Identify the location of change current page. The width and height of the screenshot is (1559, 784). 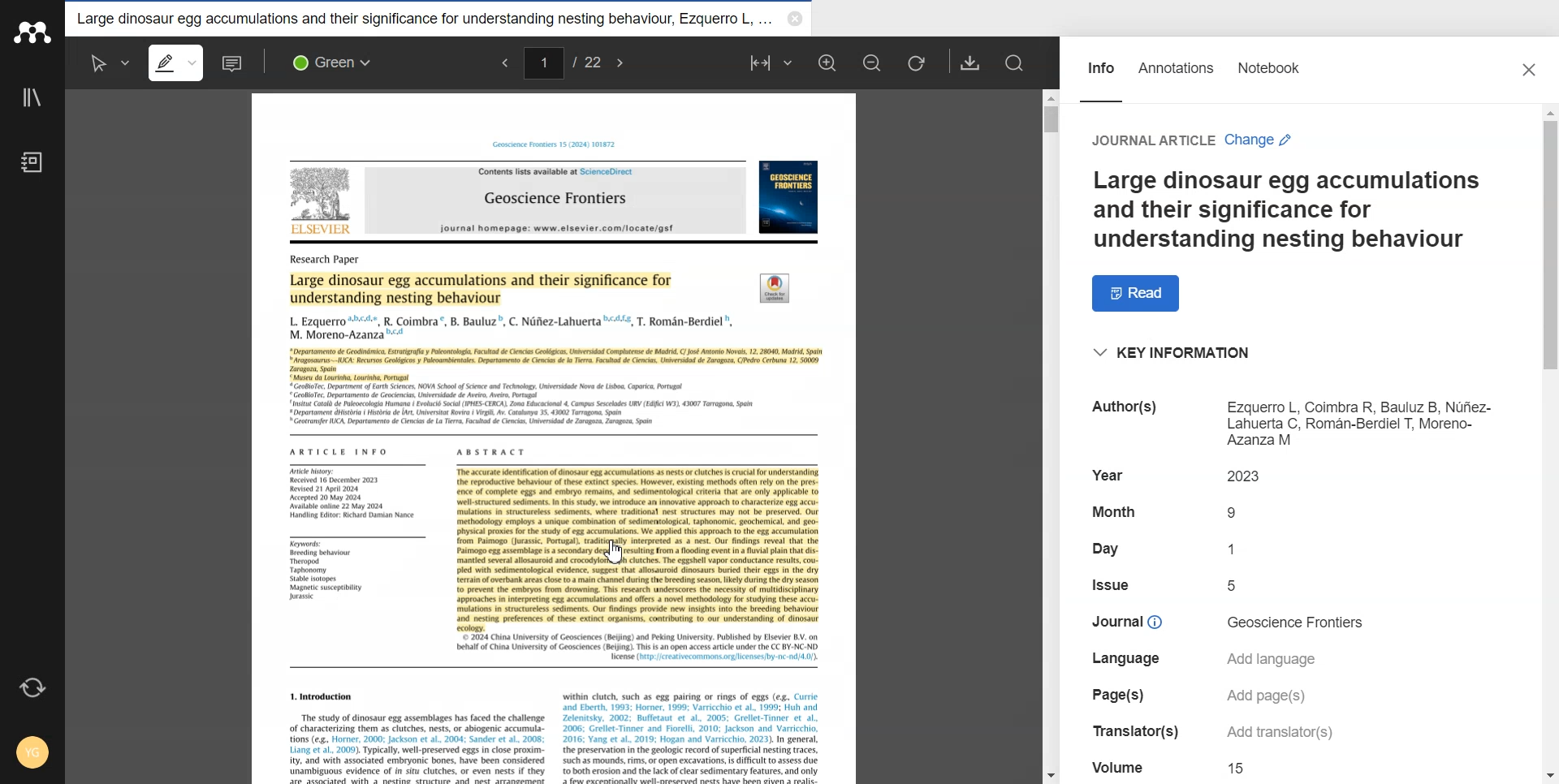
(543, 62).